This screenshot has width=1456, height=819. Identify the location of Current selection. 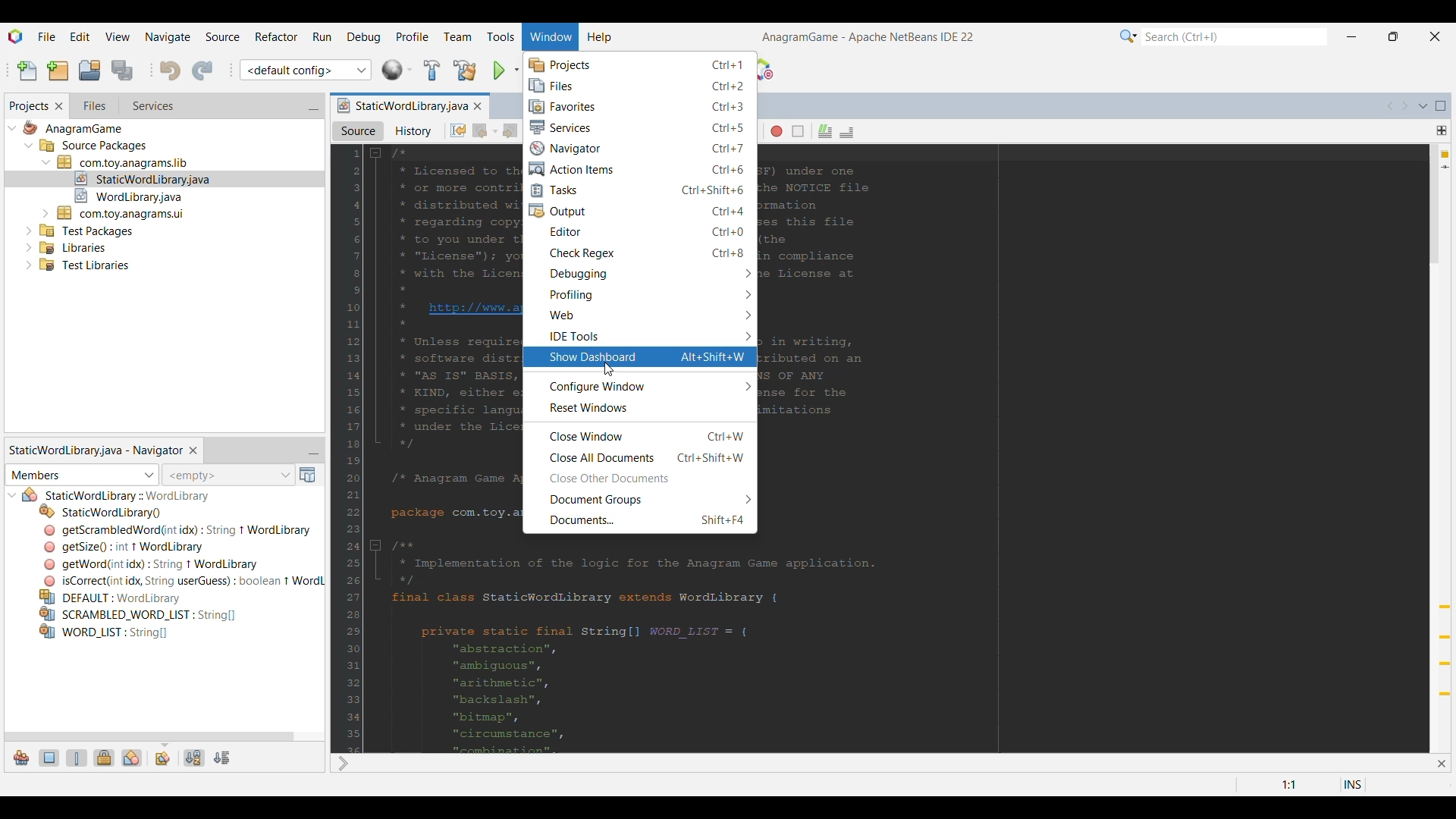
(28, 106).